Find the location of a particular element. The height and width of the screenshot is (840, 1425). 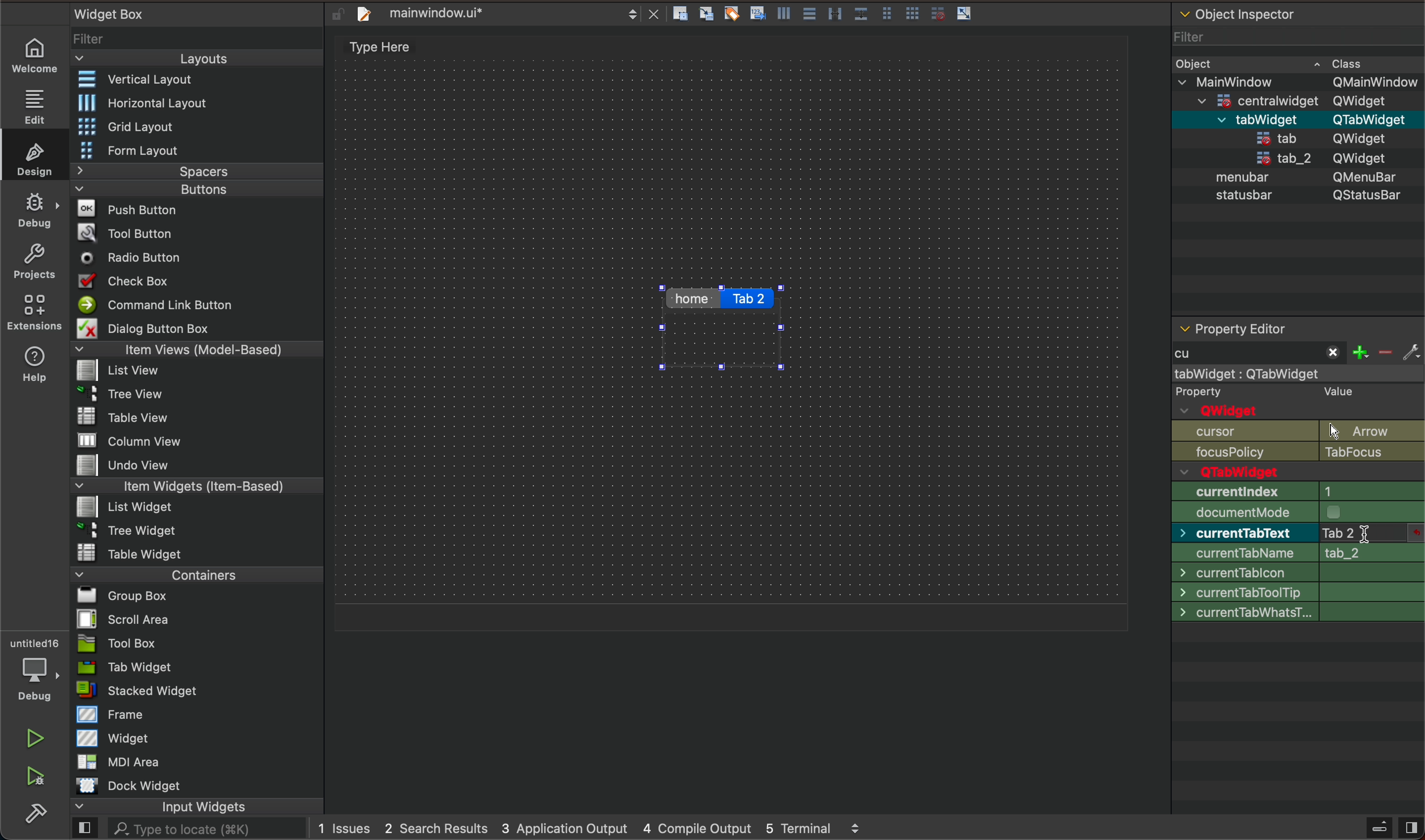

geometry is located at coordinates (1300, 491).